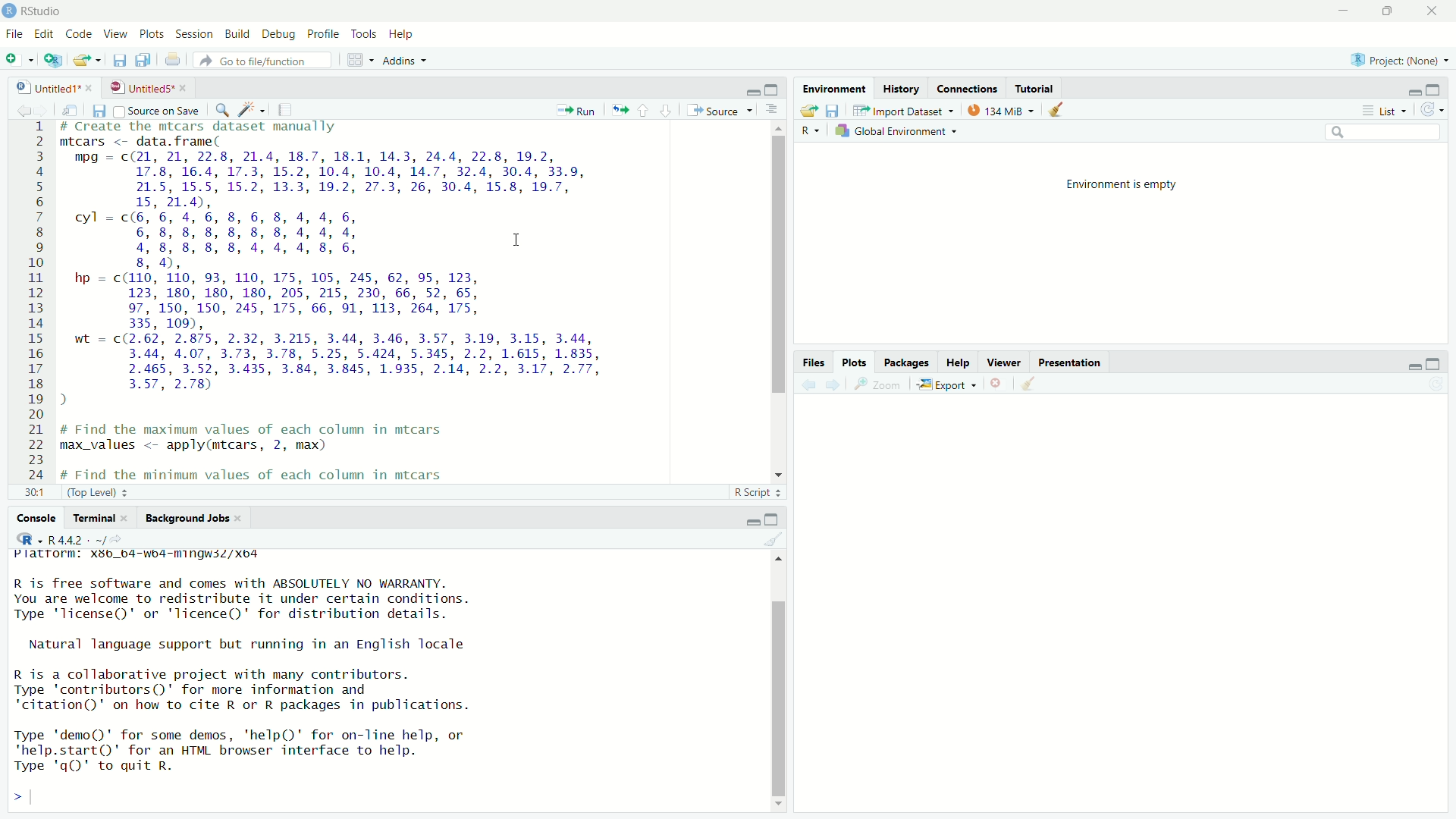  What do you see at coordinates (1037, 88) in the screenshot?
I see `Tutorial` at bounding box center [1037, 88].